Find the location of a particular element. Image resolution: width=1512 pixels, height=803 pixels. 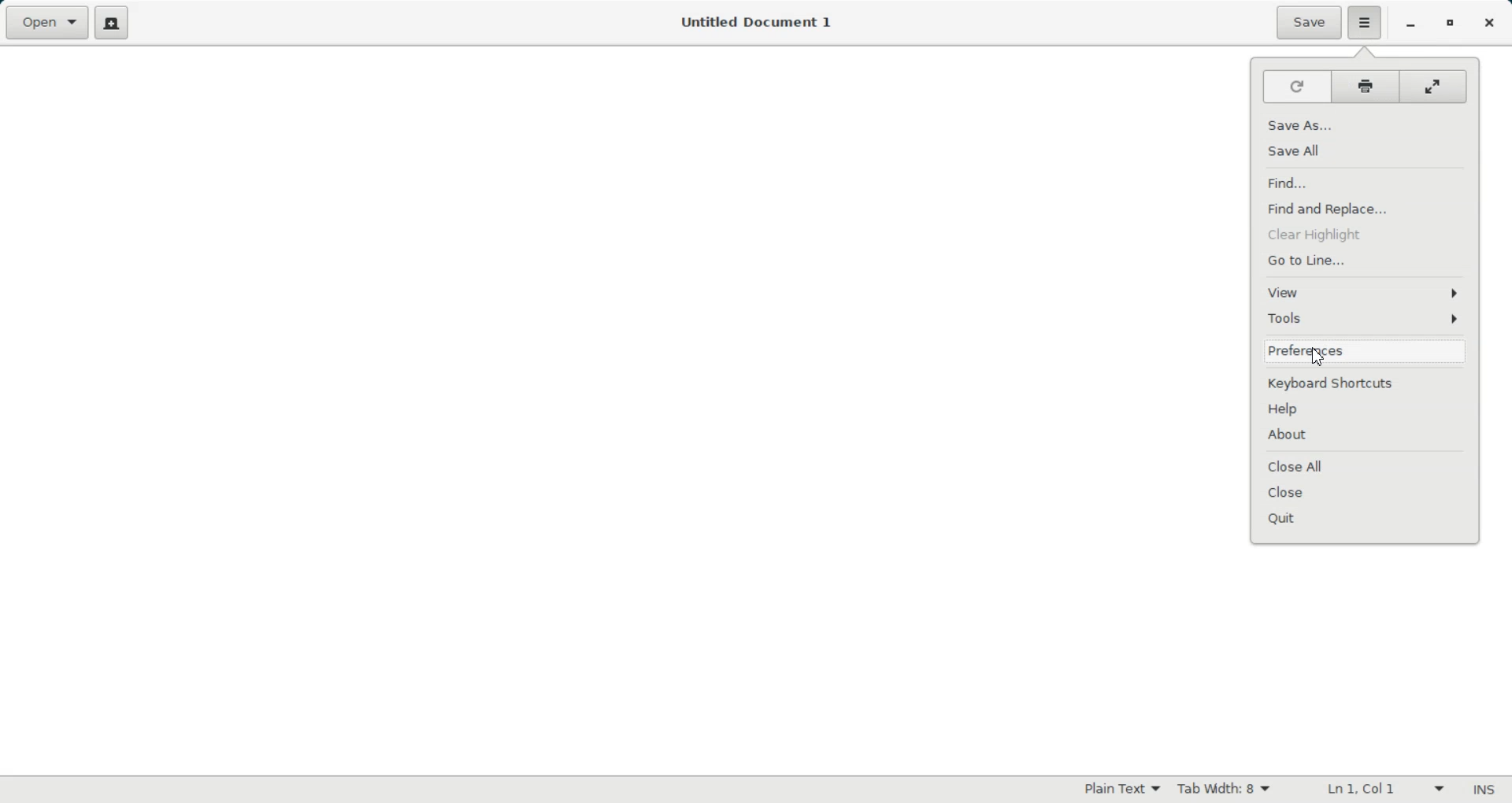

Find is located at coordinates (1365, 181).